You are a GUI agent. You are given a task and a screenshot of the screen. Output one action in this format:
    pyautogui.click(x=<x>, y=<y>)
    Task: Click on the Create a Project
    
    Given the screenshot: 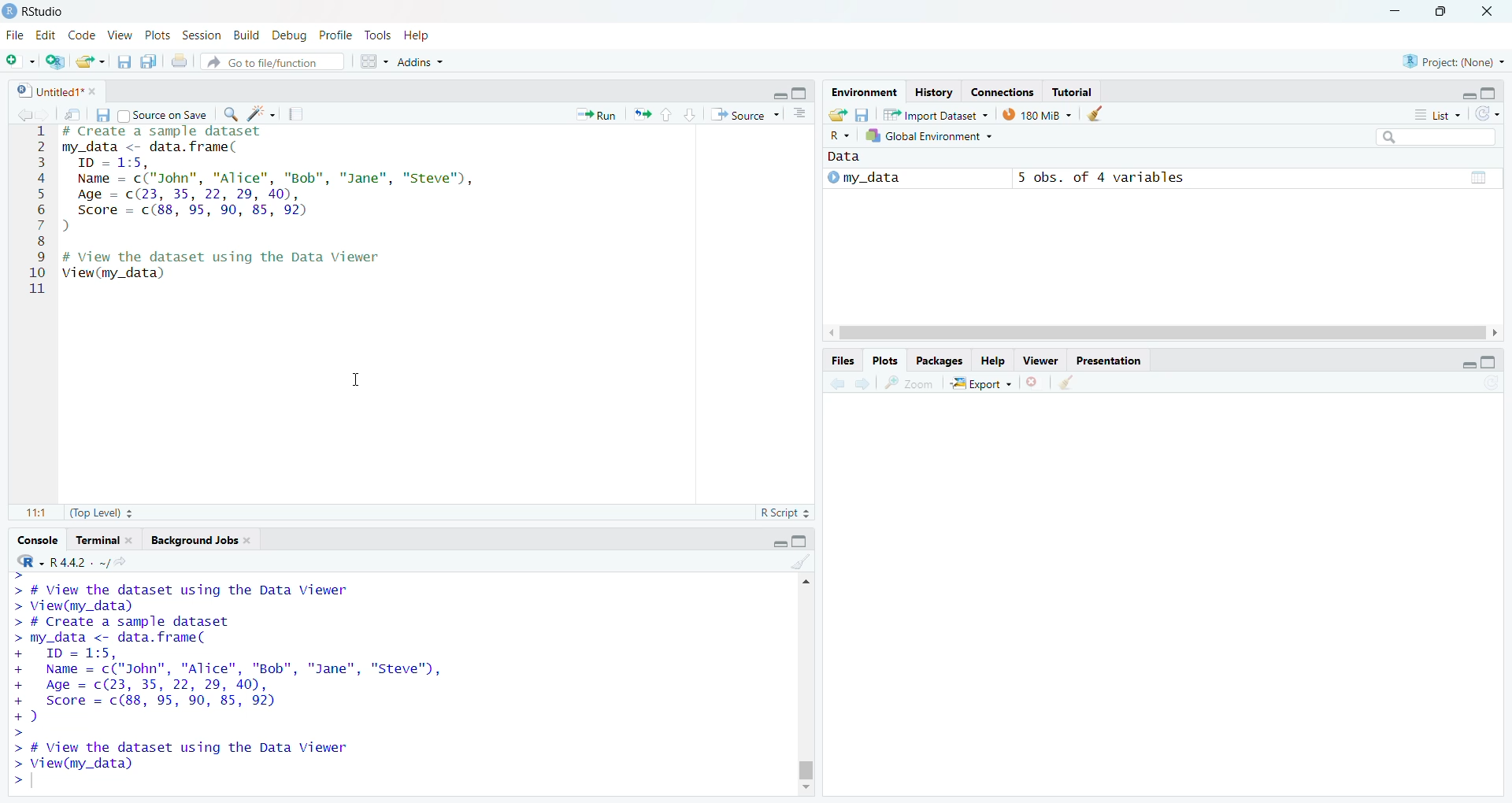 What is the action you would take?
    pyautogui.click(x=53, y=59)
    